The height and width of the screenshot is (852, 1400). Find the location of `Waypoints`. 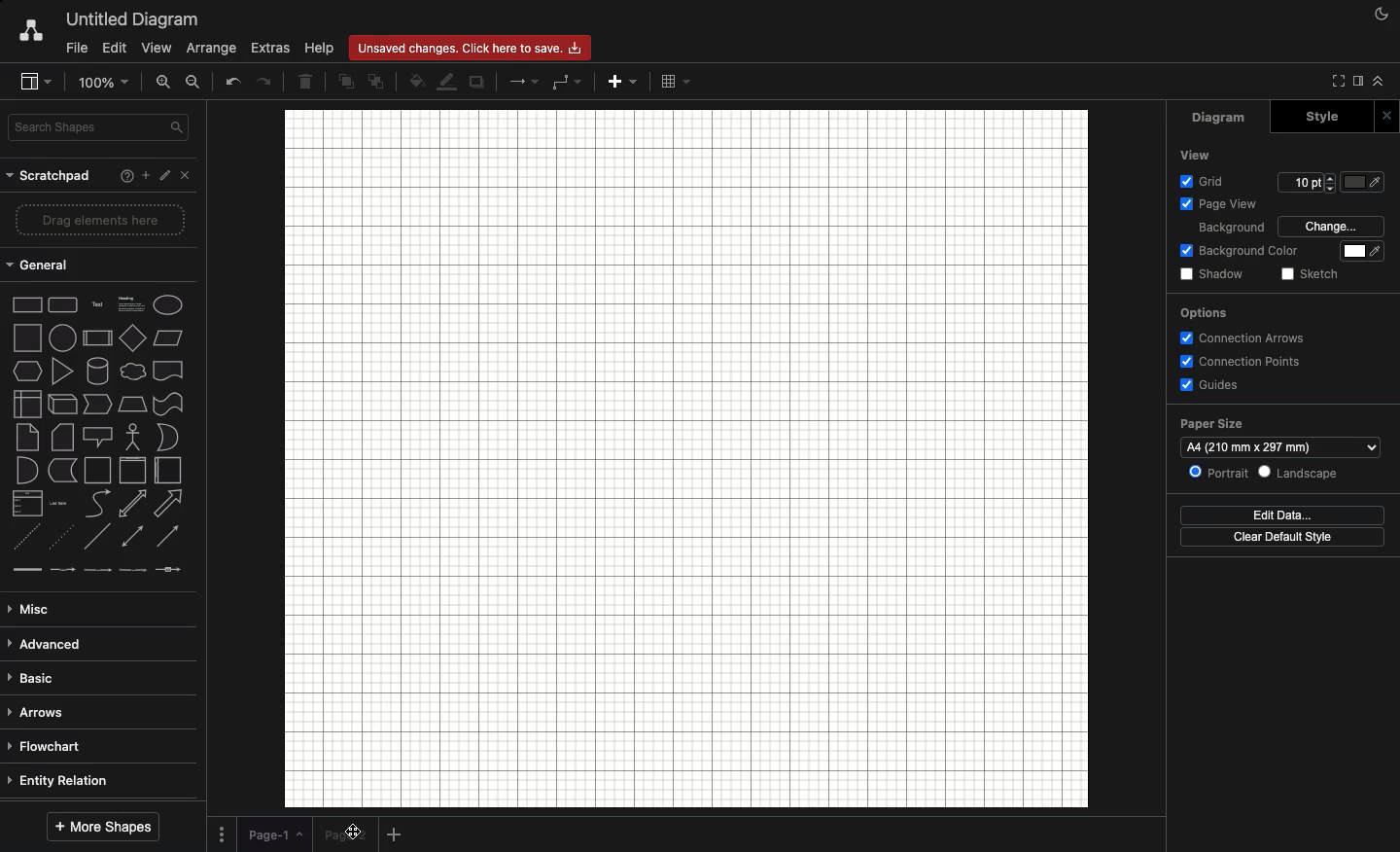

Waypoints is located at coordinates (566, 80).